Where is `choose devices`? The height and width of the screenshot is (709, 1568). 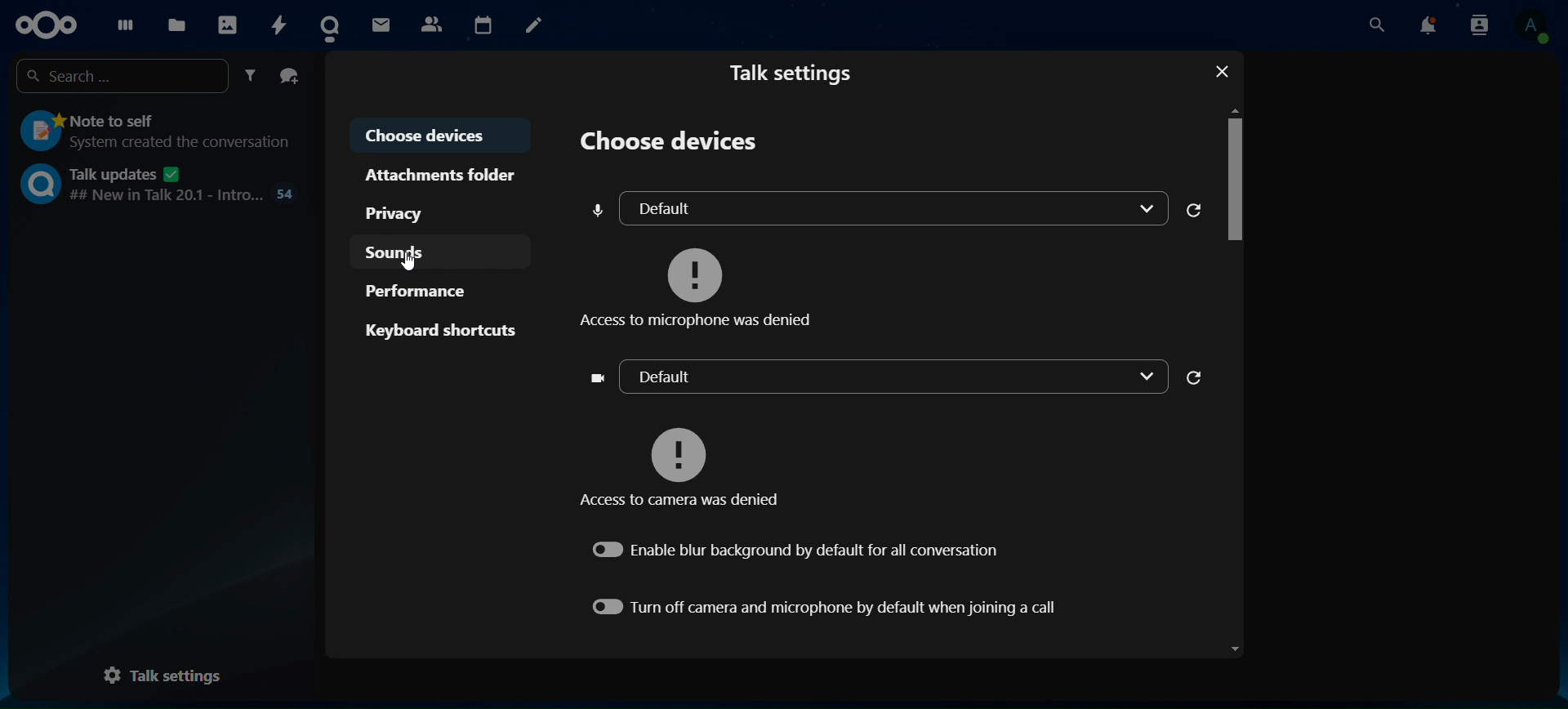 choose devices is located at coordinates (670, 140).